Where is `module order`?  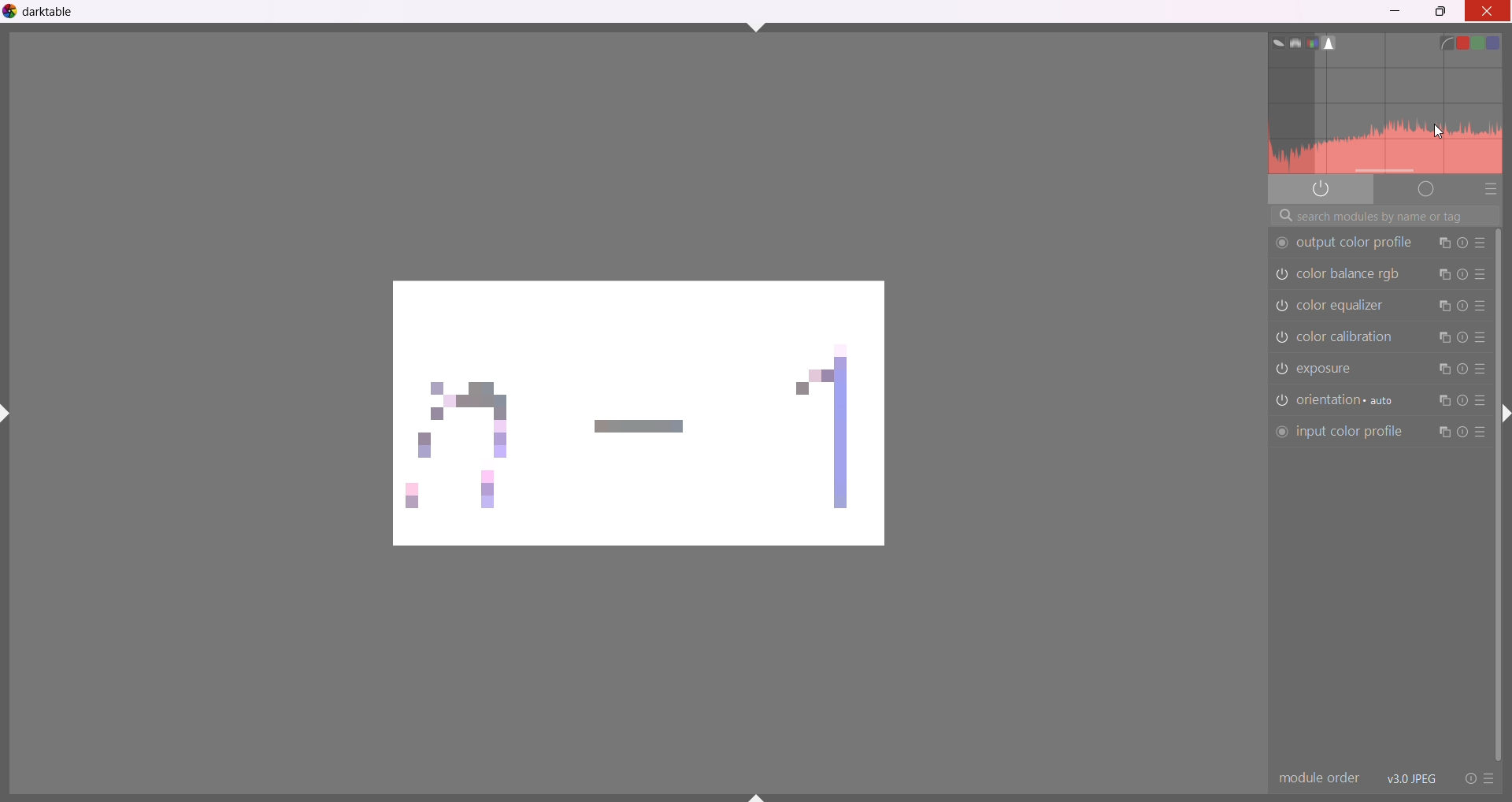 module order is located at coordinates (1317, 778).